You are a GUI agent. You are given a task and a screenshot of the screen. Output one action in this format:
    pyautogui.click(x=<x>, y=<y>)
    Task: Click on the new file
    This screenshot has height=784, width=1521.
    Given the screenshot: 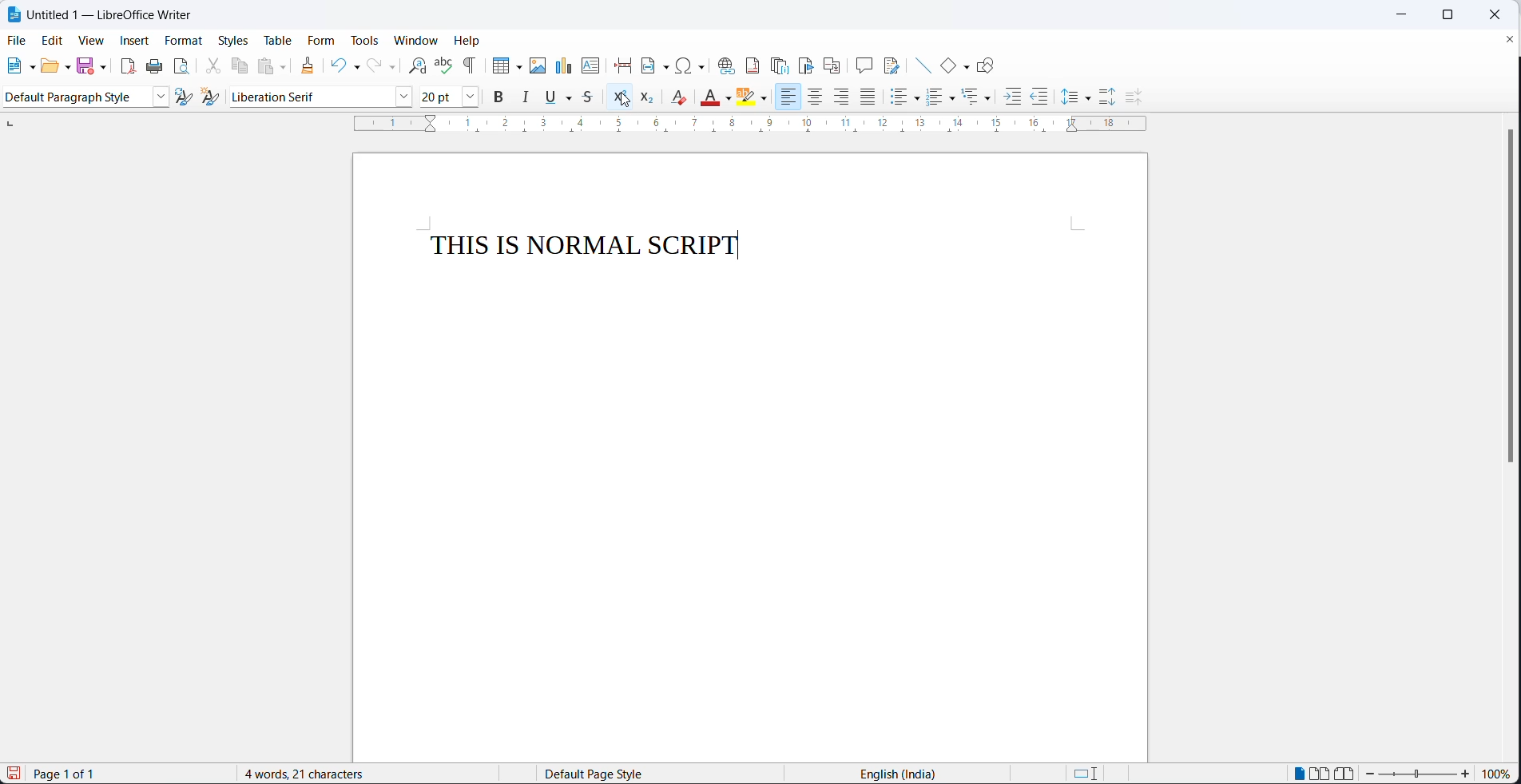 What is the action you would take?
    pyautogui.click(x=10, y=67)
    